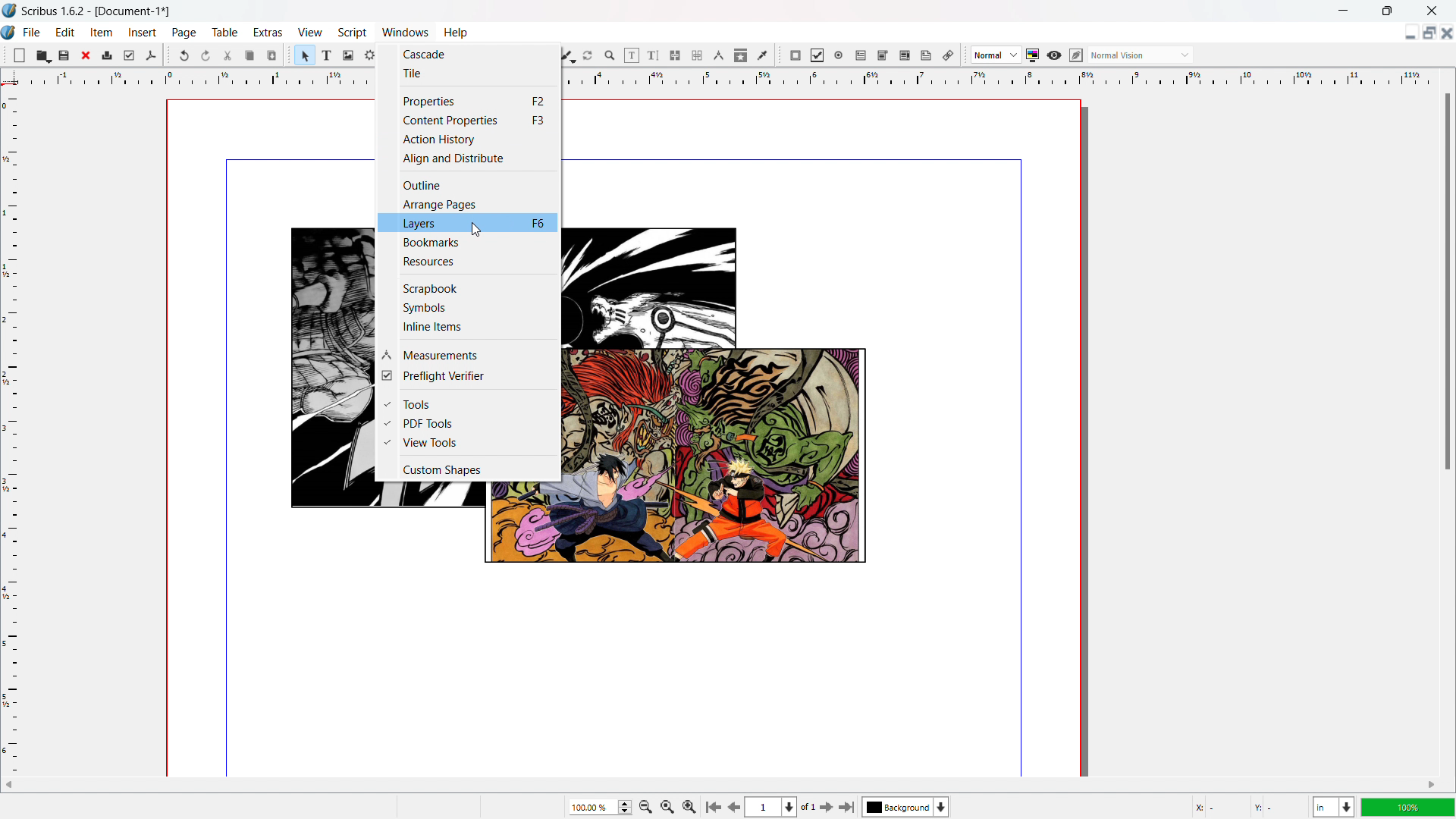 This screenshot has height=819, width=1456. What do you see at coordinates (848, 807) in the screenshot?
I see `go to last page` at bounding box center [848, 807].